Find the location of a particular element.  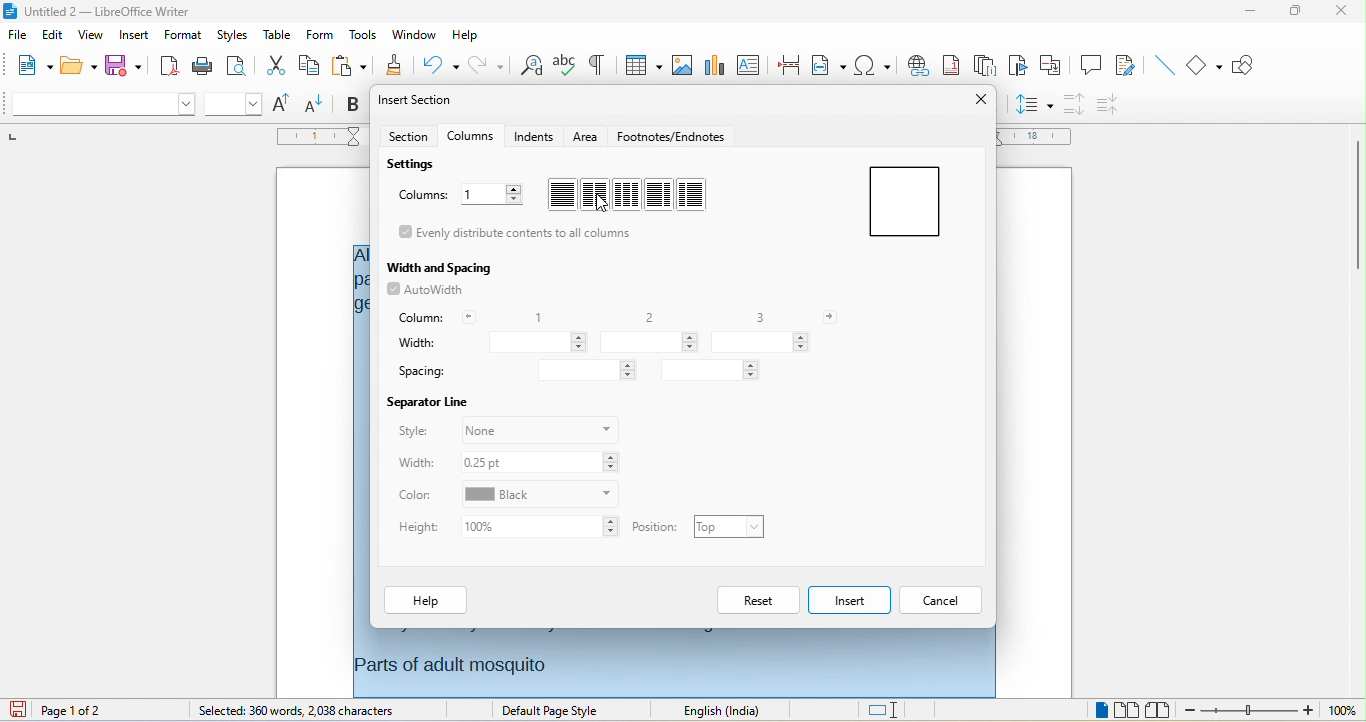

section is located at coordinates (408, 136).